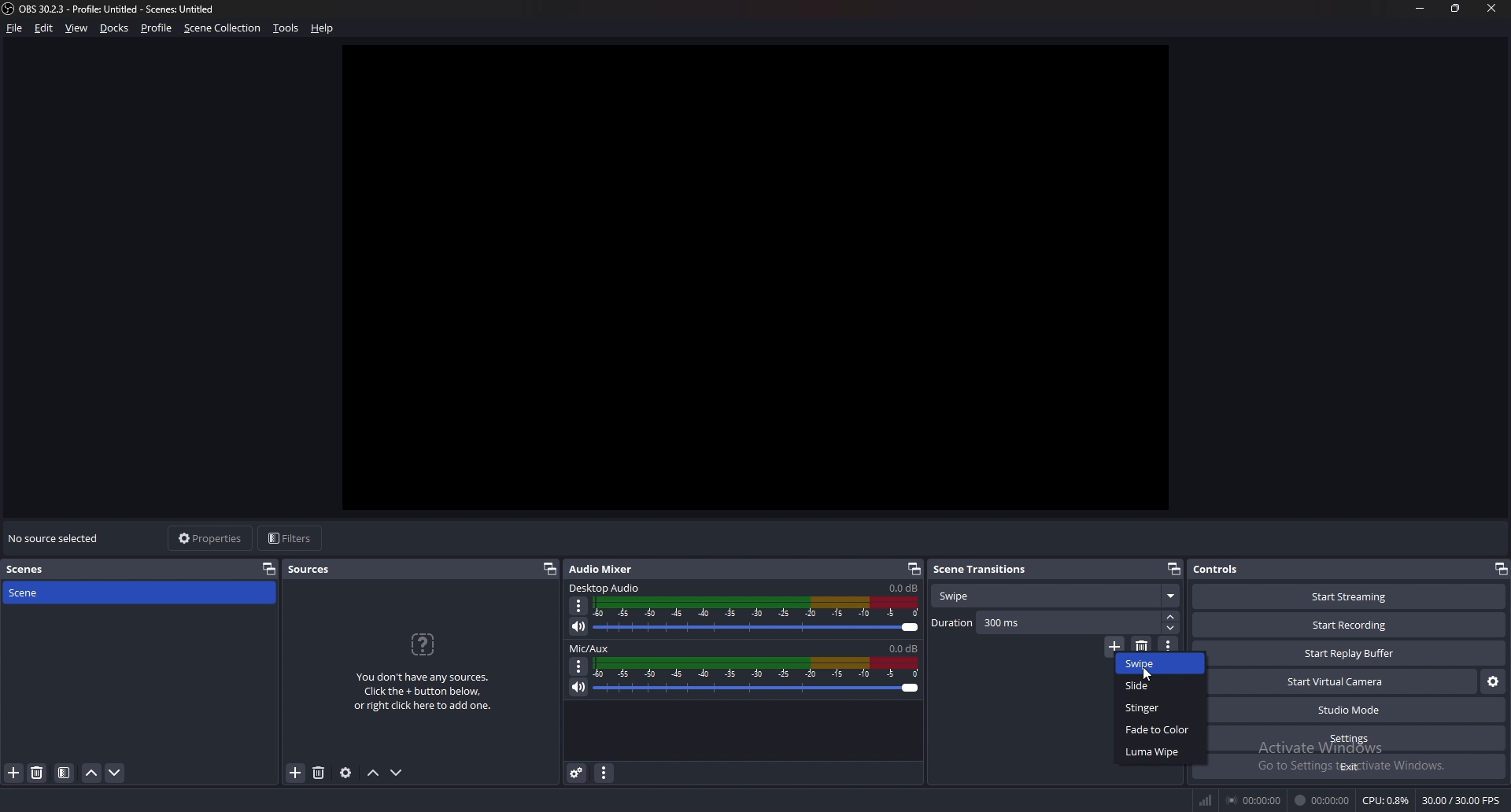 The image size is (1511, 812). What do you see at coordinates (1461, 800) in the screenshot?
I see `30.00 /30.00 FPS` at bounding box center [1461, 800].